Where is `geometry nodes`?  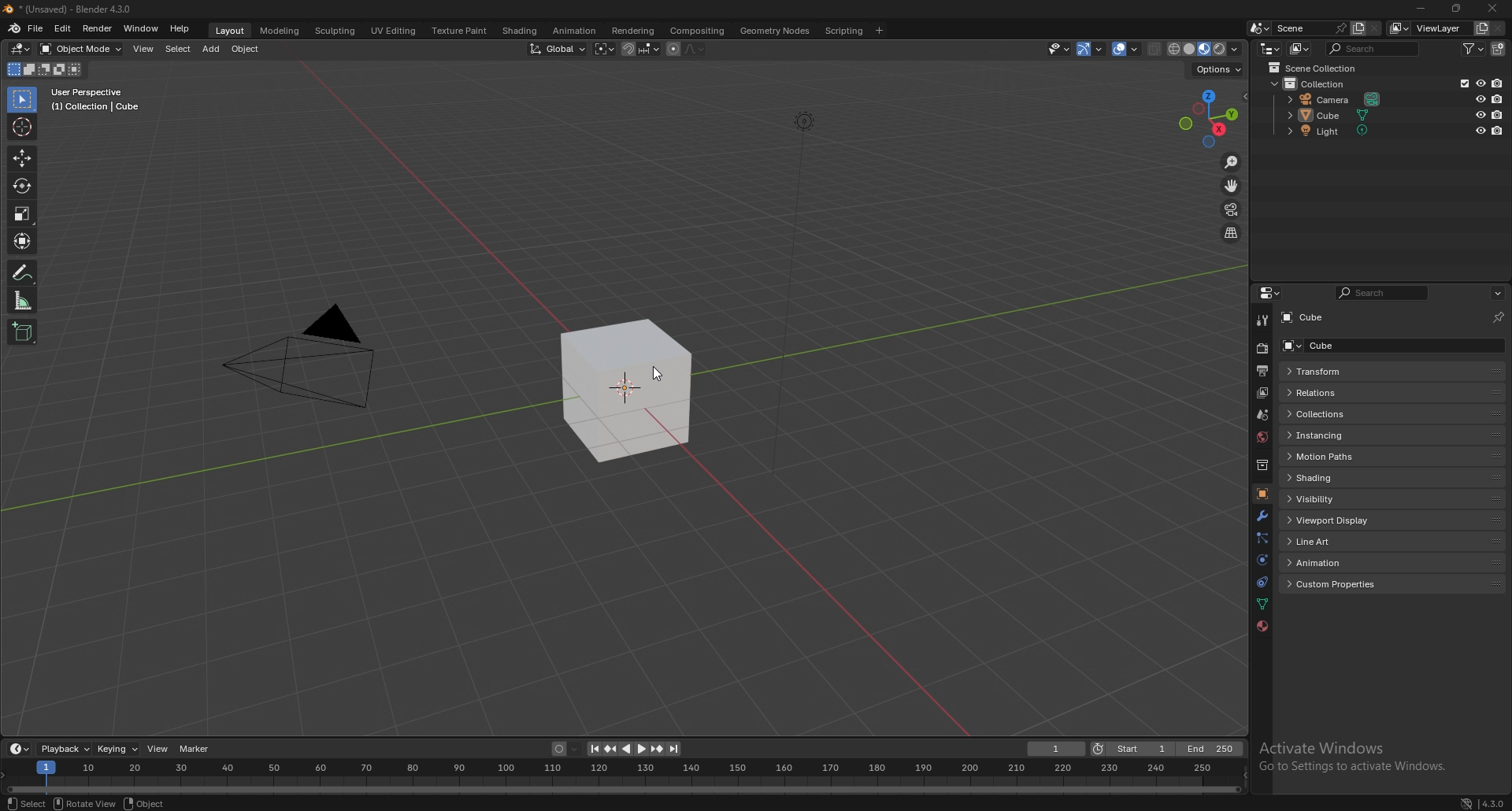 geometry nodes is located at coordinates (775, 30).